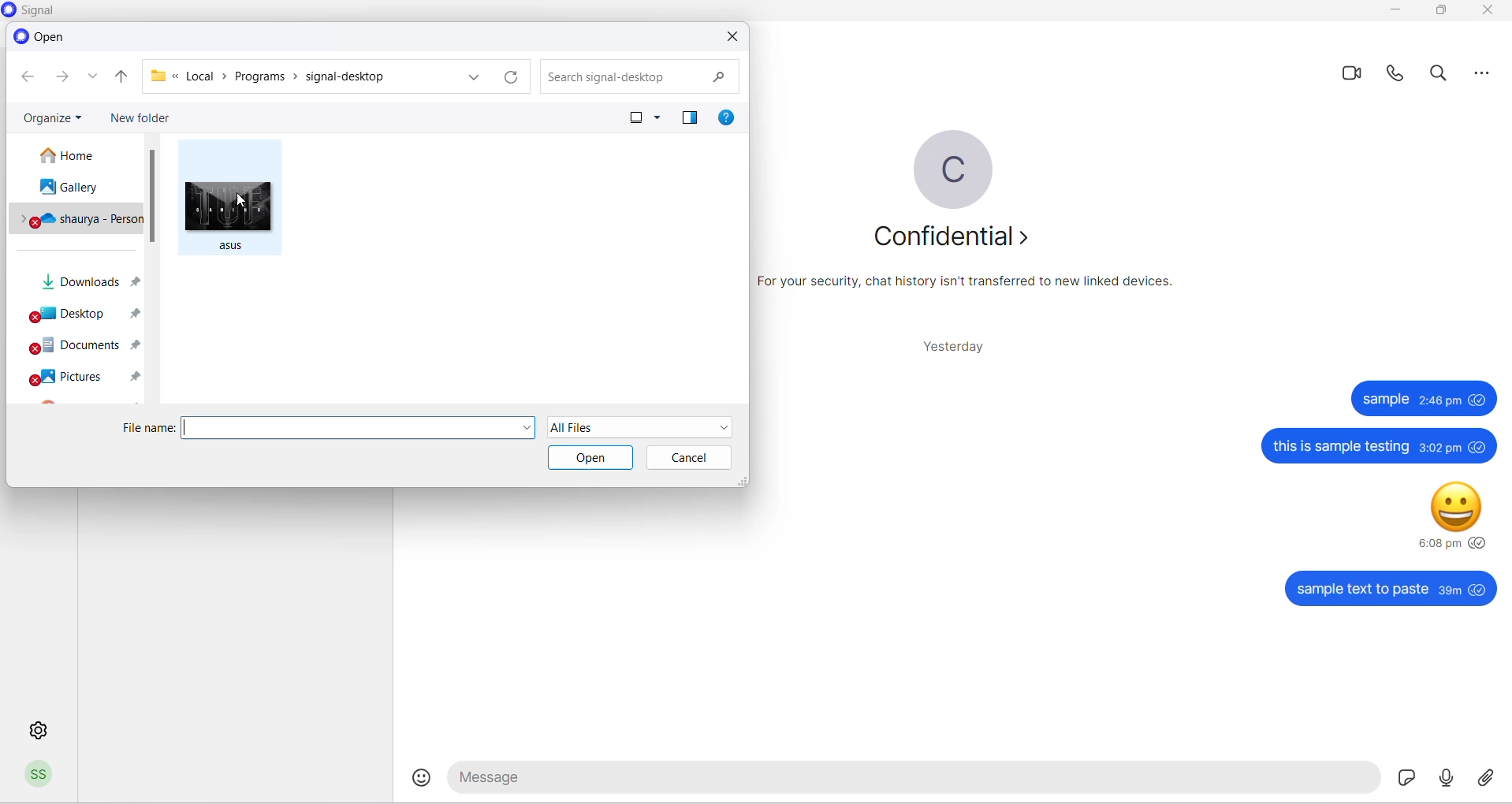  Describe the element at coordinates (121, 77) in the screenshot. I see `up to parent folder` at that location.